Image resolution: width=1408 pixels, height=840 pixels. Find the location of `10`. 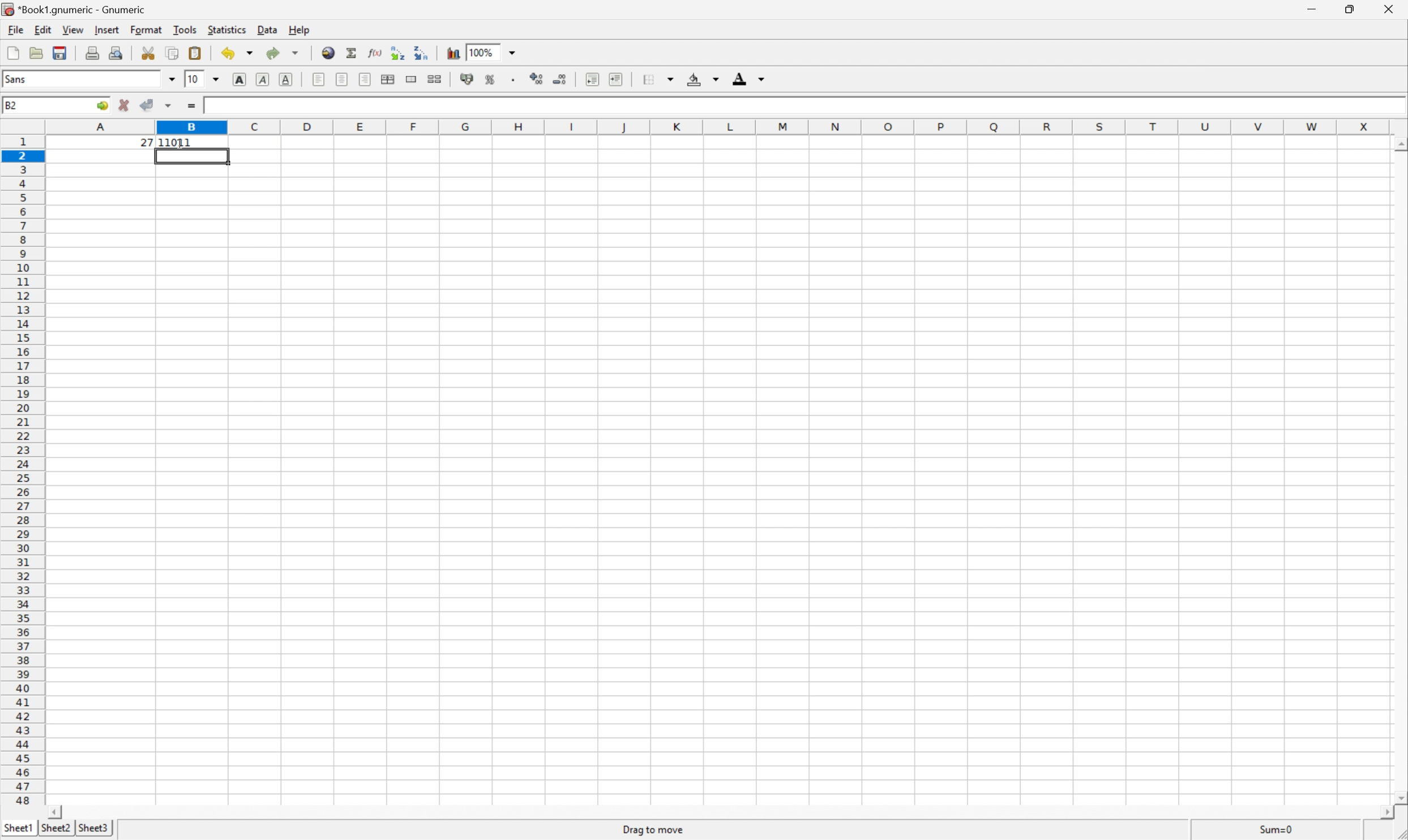

10 is located at coordinates (194, 79).